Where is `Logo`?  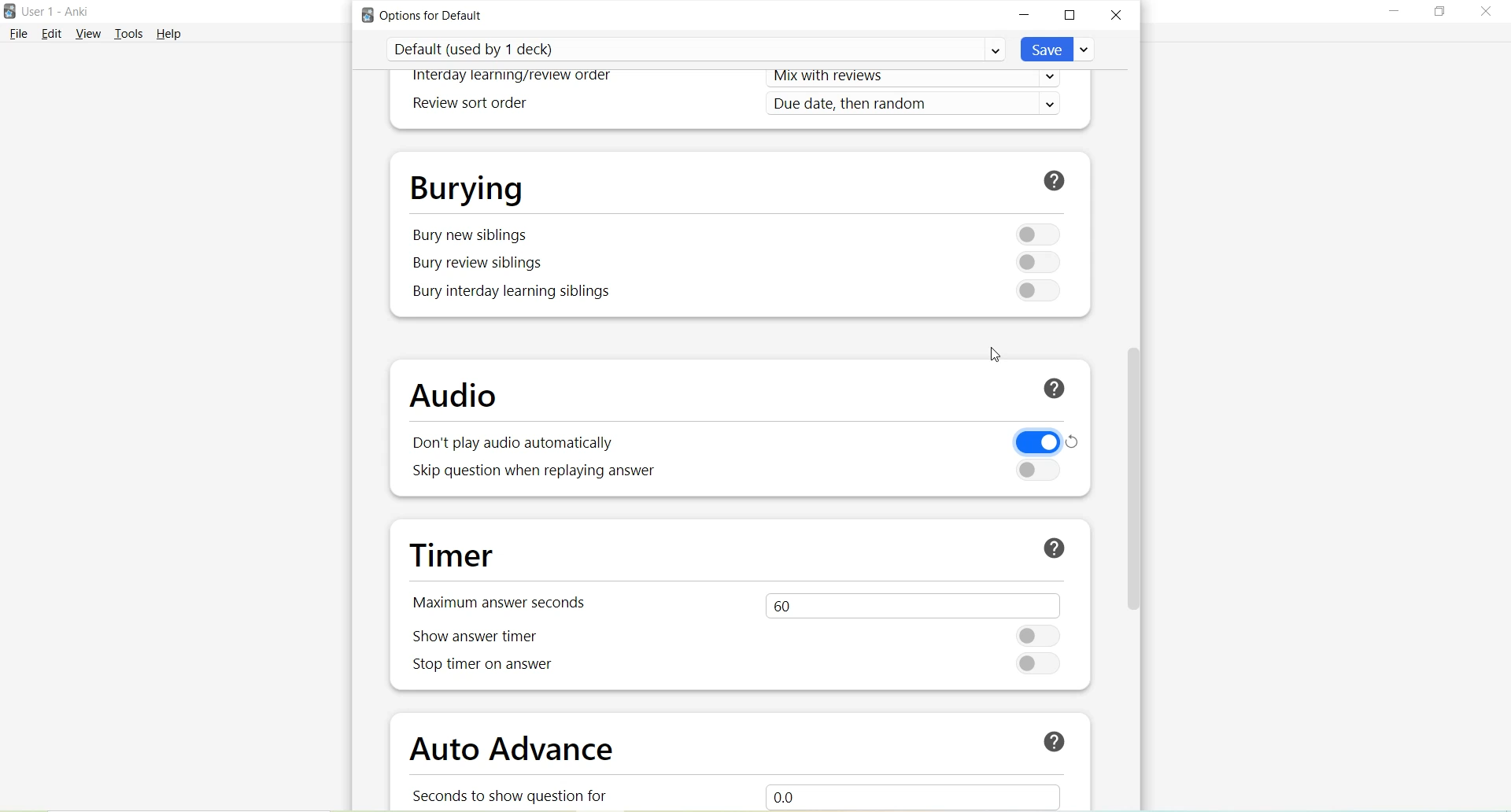 Logo is located at coordinates (9, 12).